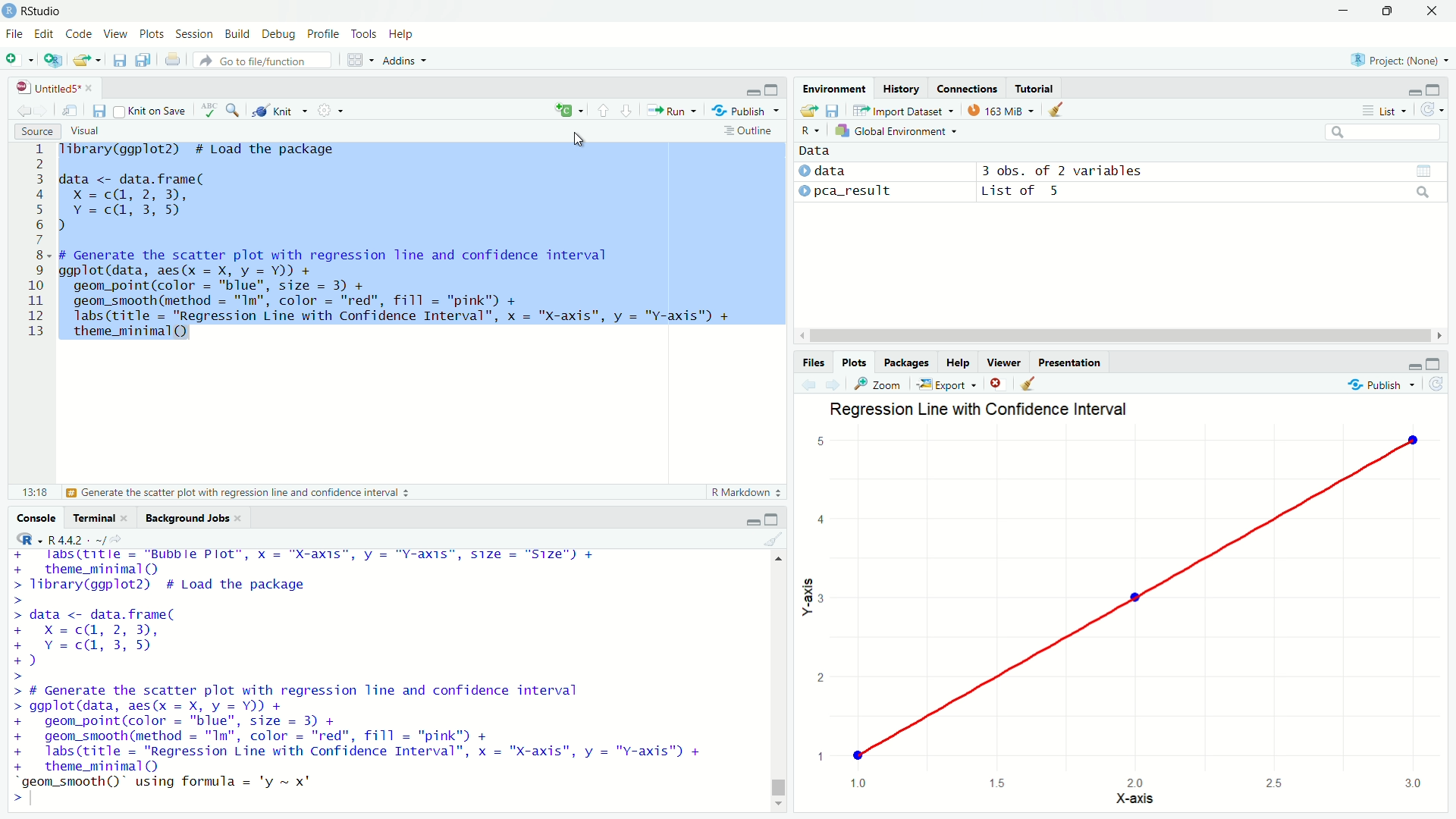 This screenshot has width=1456, height=819. What do you see at coordinates (905, 362) in the screenshot?
I see `Packages` at bounding box center [905, 362].